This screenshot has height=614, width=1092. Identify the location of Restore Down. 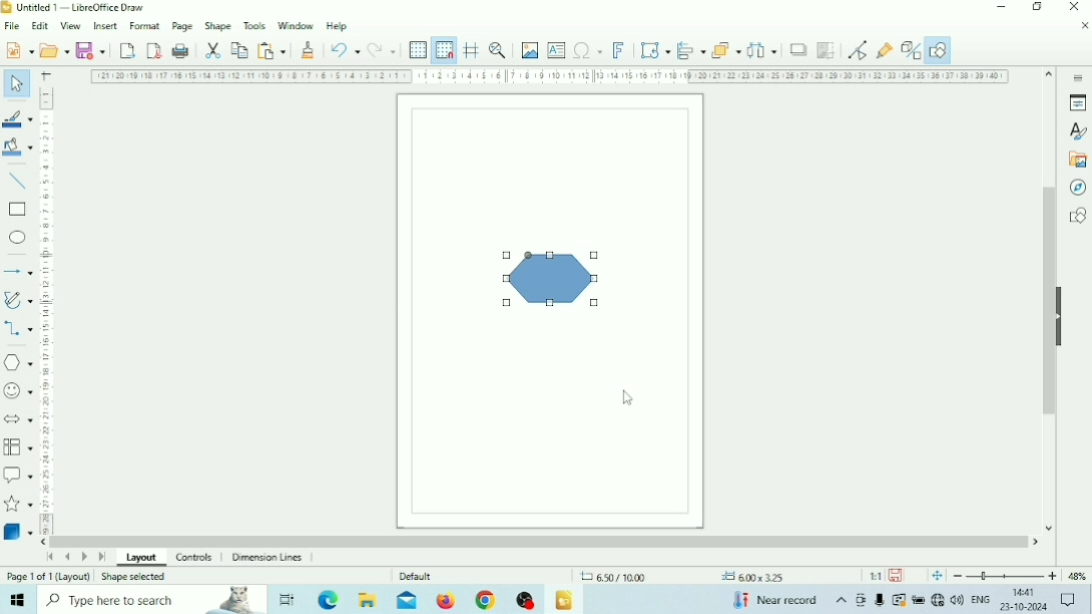
(1037, 7).